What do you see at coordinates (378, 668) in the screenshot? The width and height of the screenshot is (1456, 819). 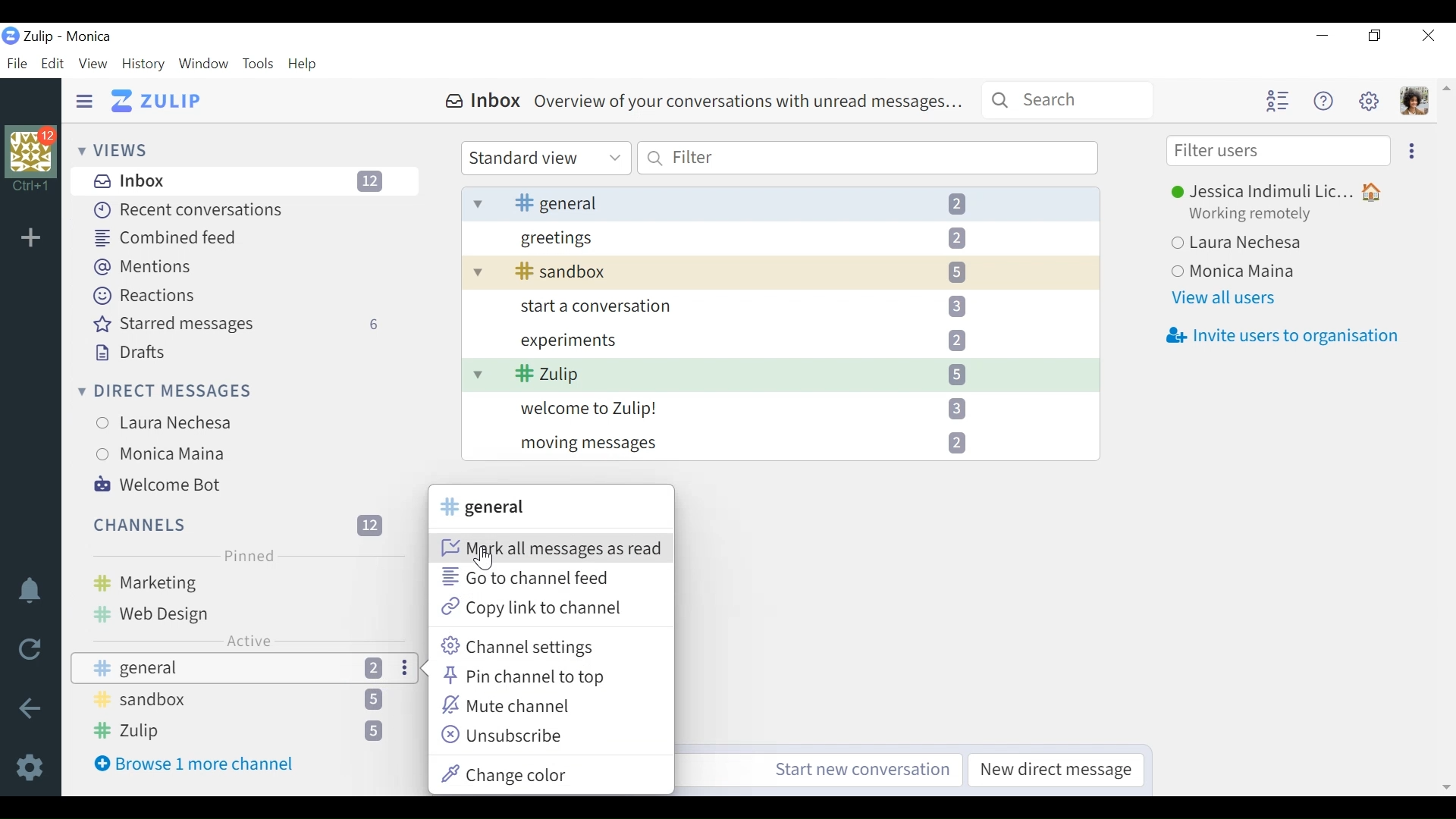 I see `2` at bounding box center [378, 668].